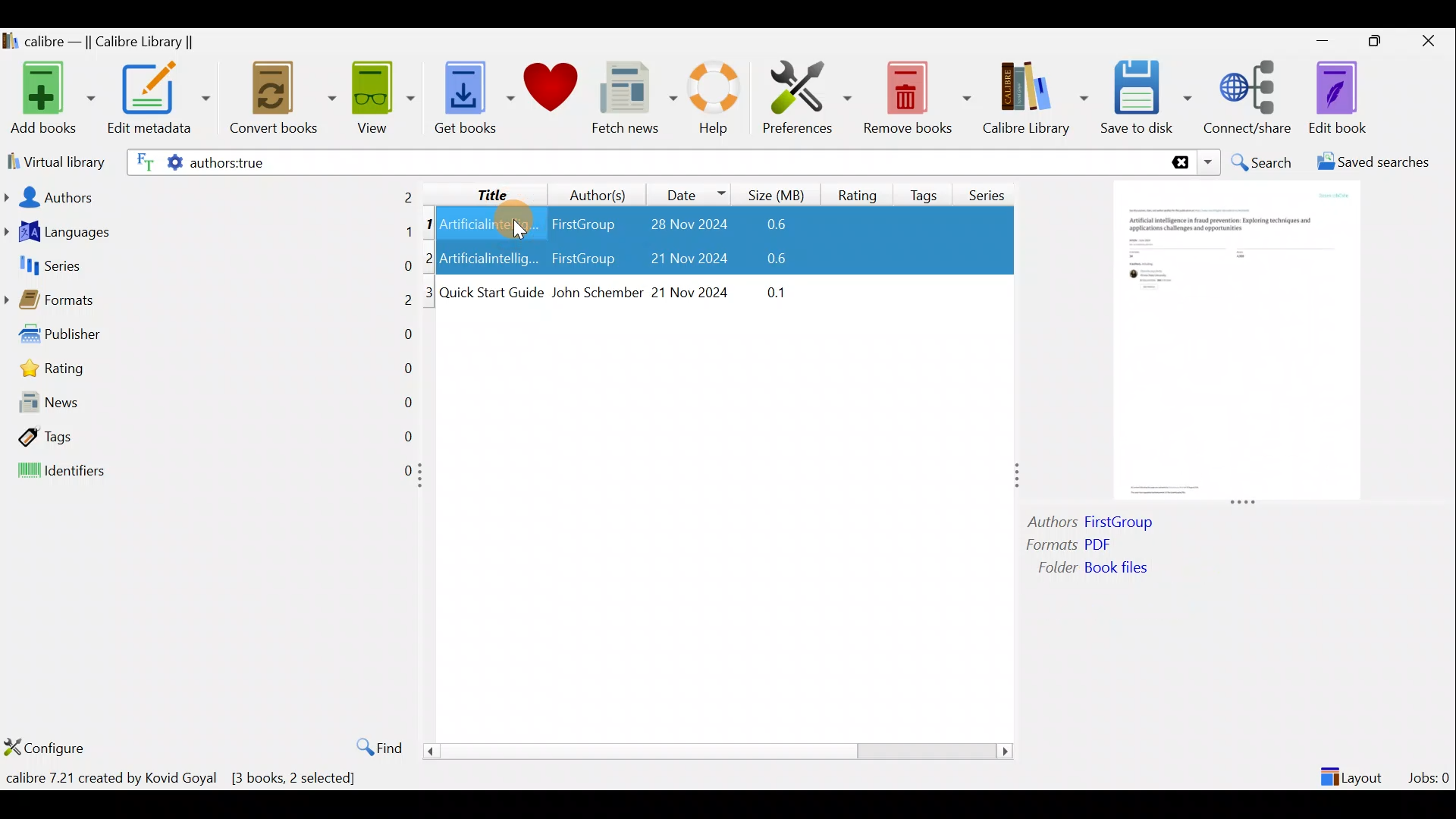 The height and width of the screenshot is (819, 1456). Describe the element at coordinates (1146, 98) in the screenshot. I see `Save to disk` at that location.